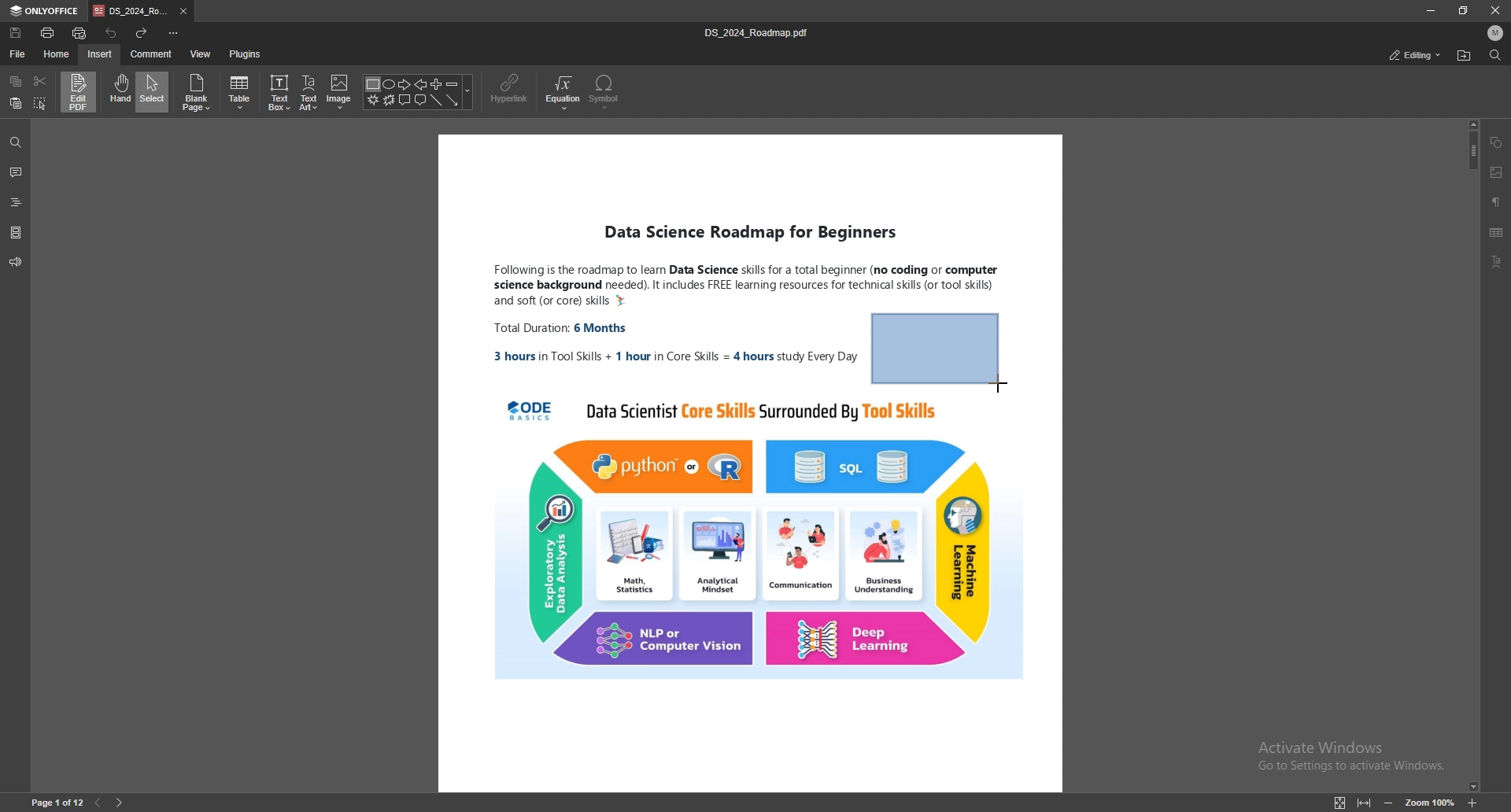  Describe the element at coordinates (39, 80) in the screenshot. I see `cut` at that location.